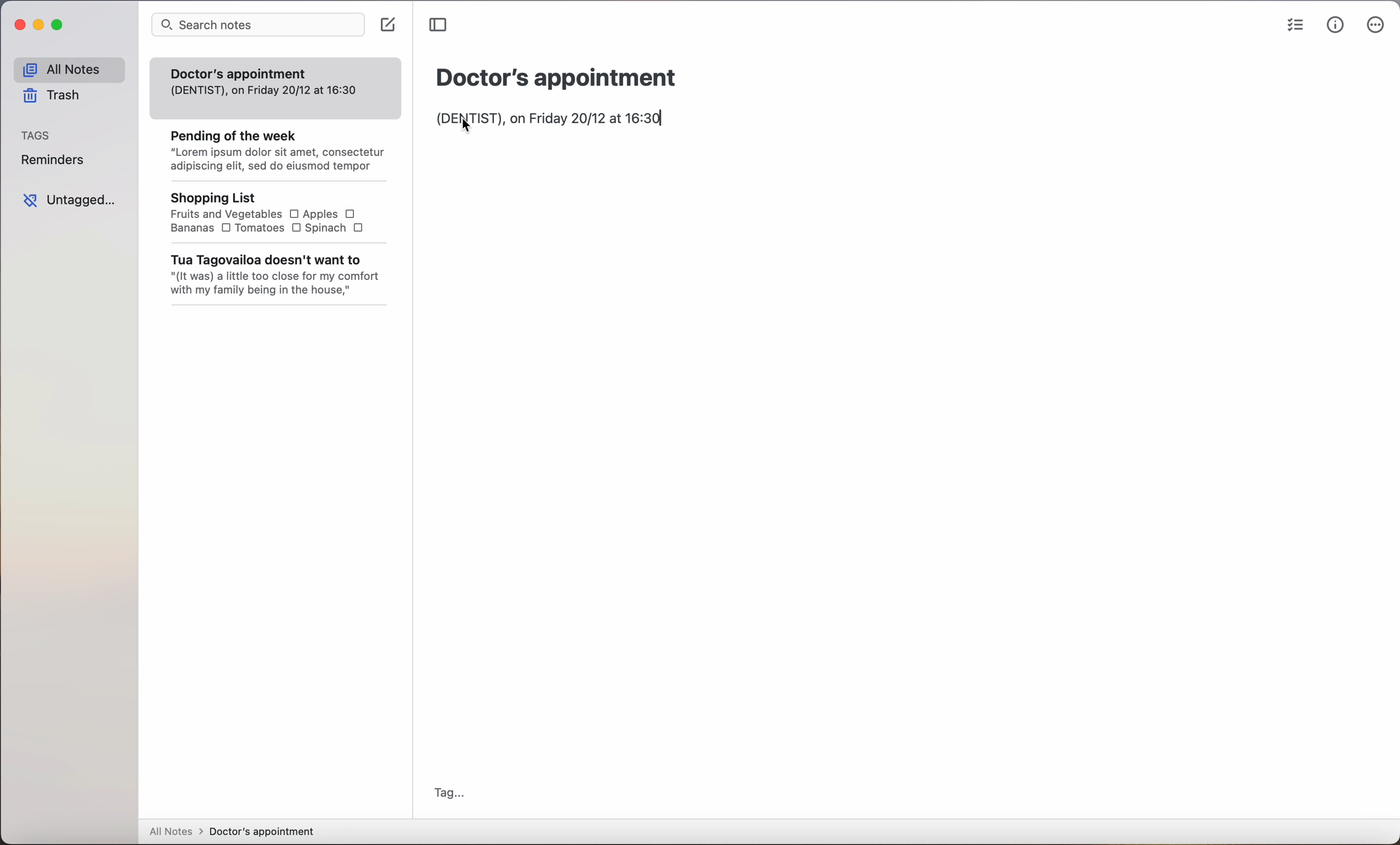 This screenshot has width=1400, height=845. Describe the element at coordinates (273, 275) in the screenshot. I see `Tua Tagovailoa doesn't want to
"(It was) a little too close for my comfort
with my family being in the house,"` at that location.